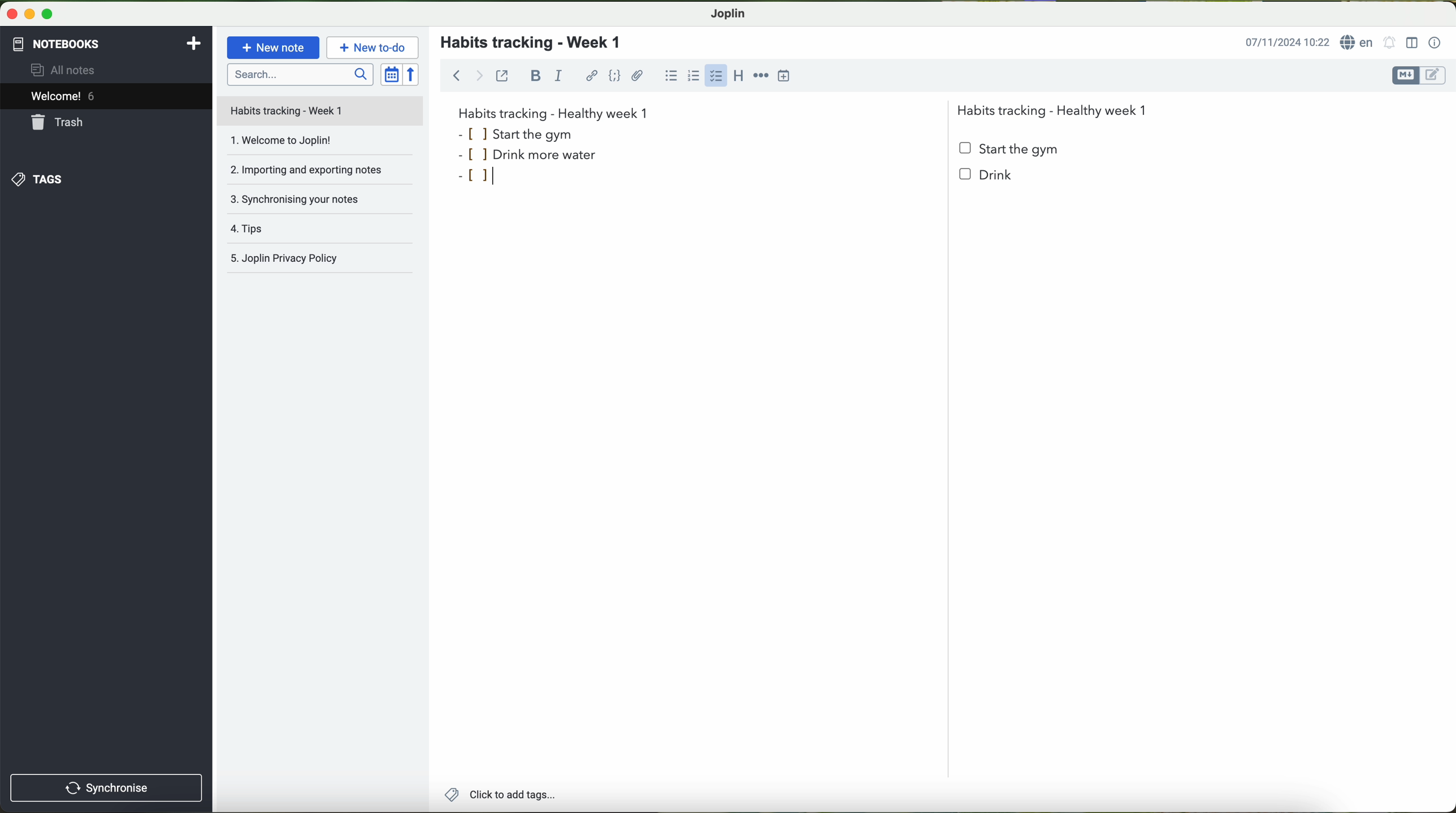 The image size is (1456, 813). Describe the element at coordinates (38, 180) in the screenshot. I see `tags` at that location.